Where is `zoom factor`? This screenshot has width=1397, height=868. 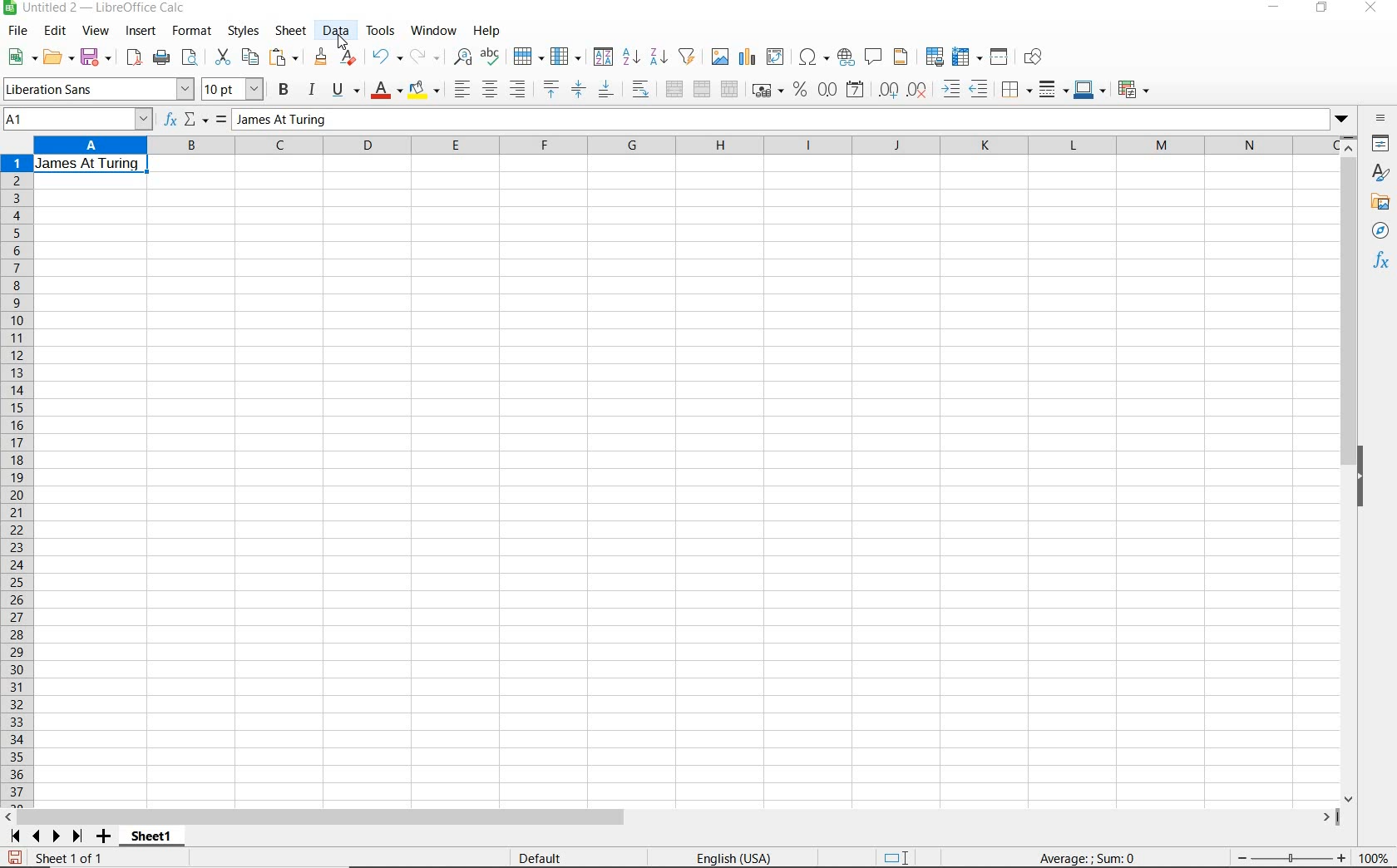
zoom factor is located at coordinates (1373, 857).